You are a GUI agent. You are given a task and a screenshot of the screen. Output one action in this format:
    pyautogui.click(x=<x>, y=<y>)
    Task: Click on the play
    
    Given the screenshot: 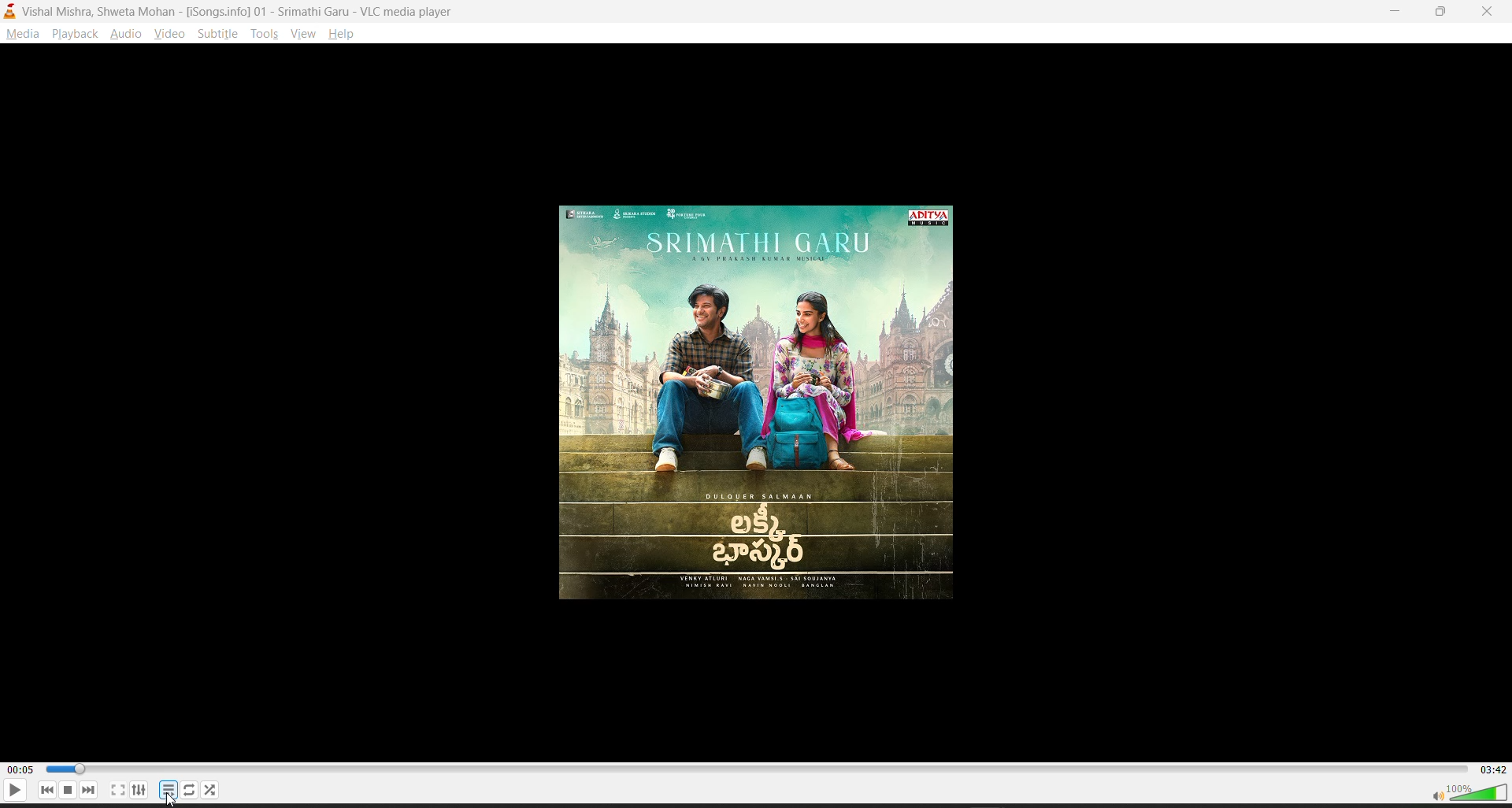 What is the action you would take?
    pyautogui.click(x=15, y=790)
    